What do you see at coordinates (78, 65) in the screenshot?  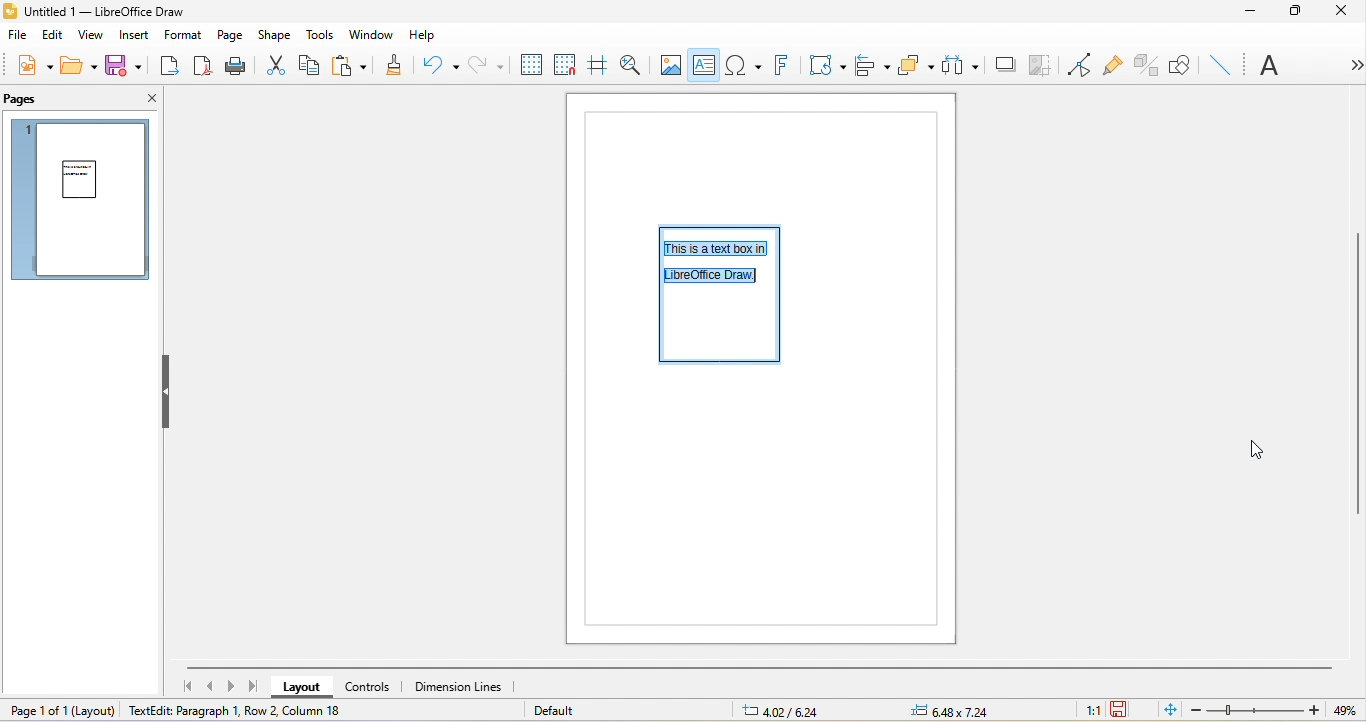 I see `open` at bounding box center [78, 65].